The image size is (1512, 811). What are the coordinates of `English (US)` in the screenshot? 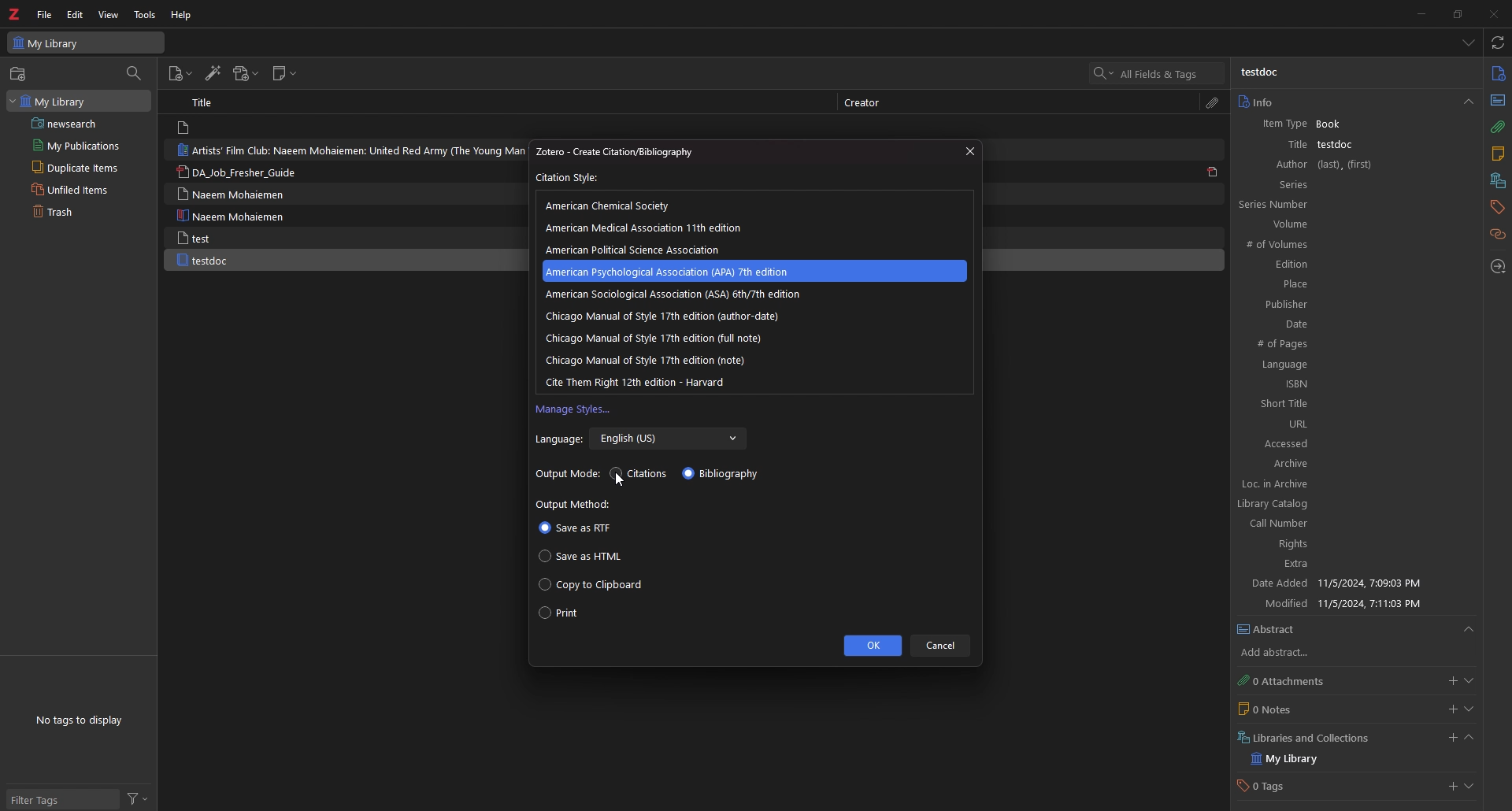 It's located at (669, 439).